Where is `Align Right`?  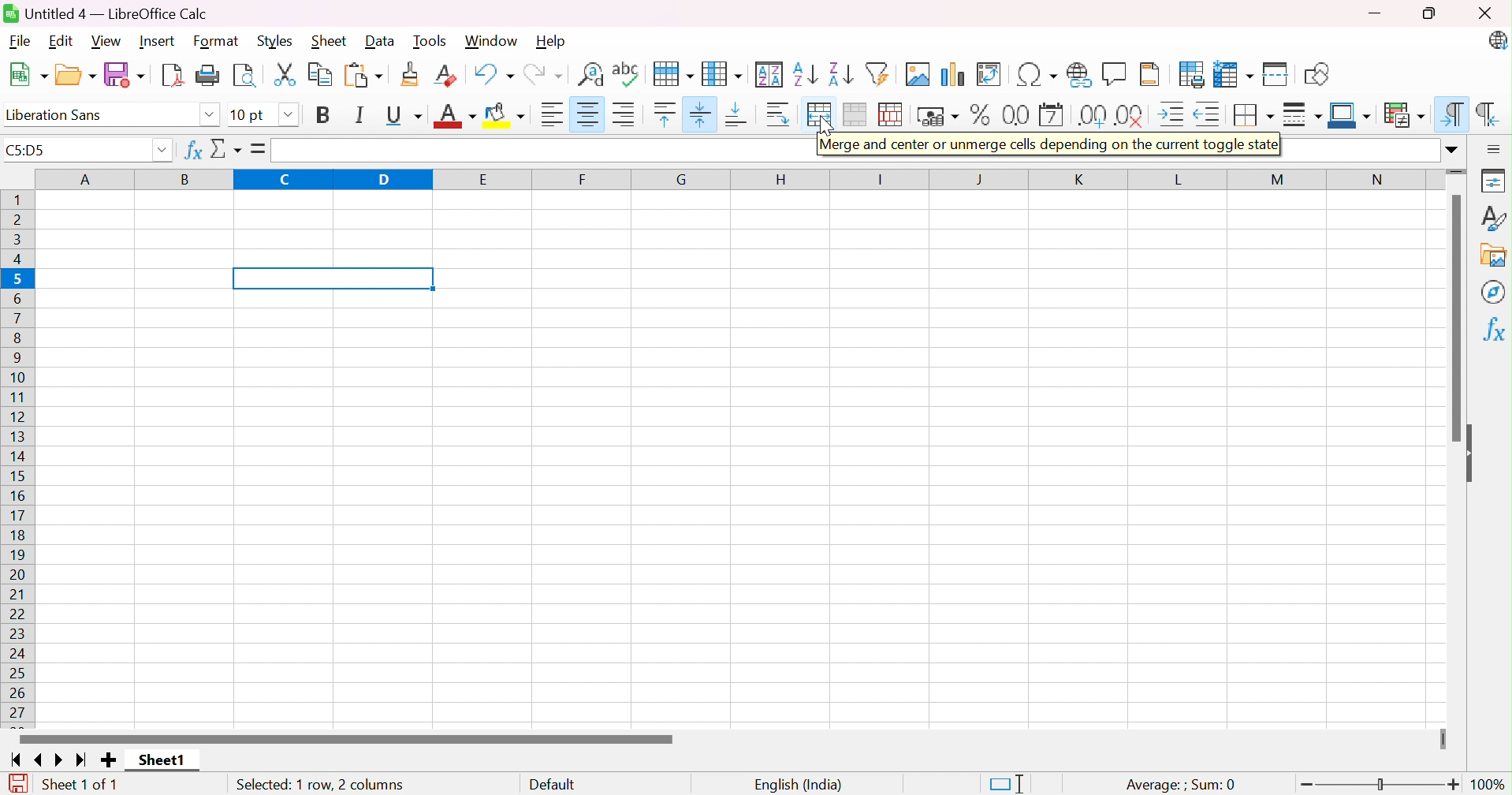 Align Right is located at coordinates (627, 115).